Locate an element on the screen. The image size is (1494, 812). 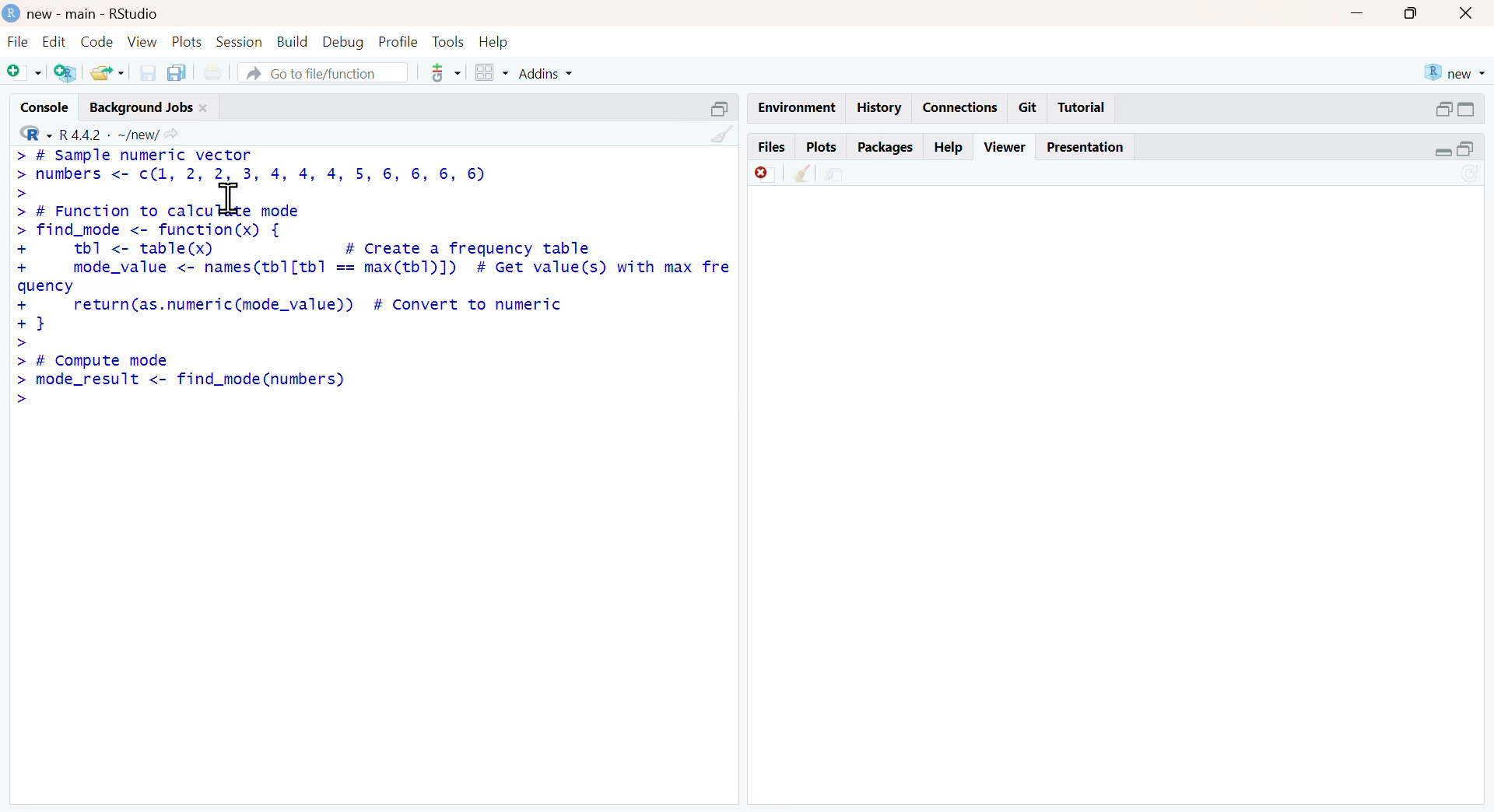
git is located at coordinates (1029, 107).